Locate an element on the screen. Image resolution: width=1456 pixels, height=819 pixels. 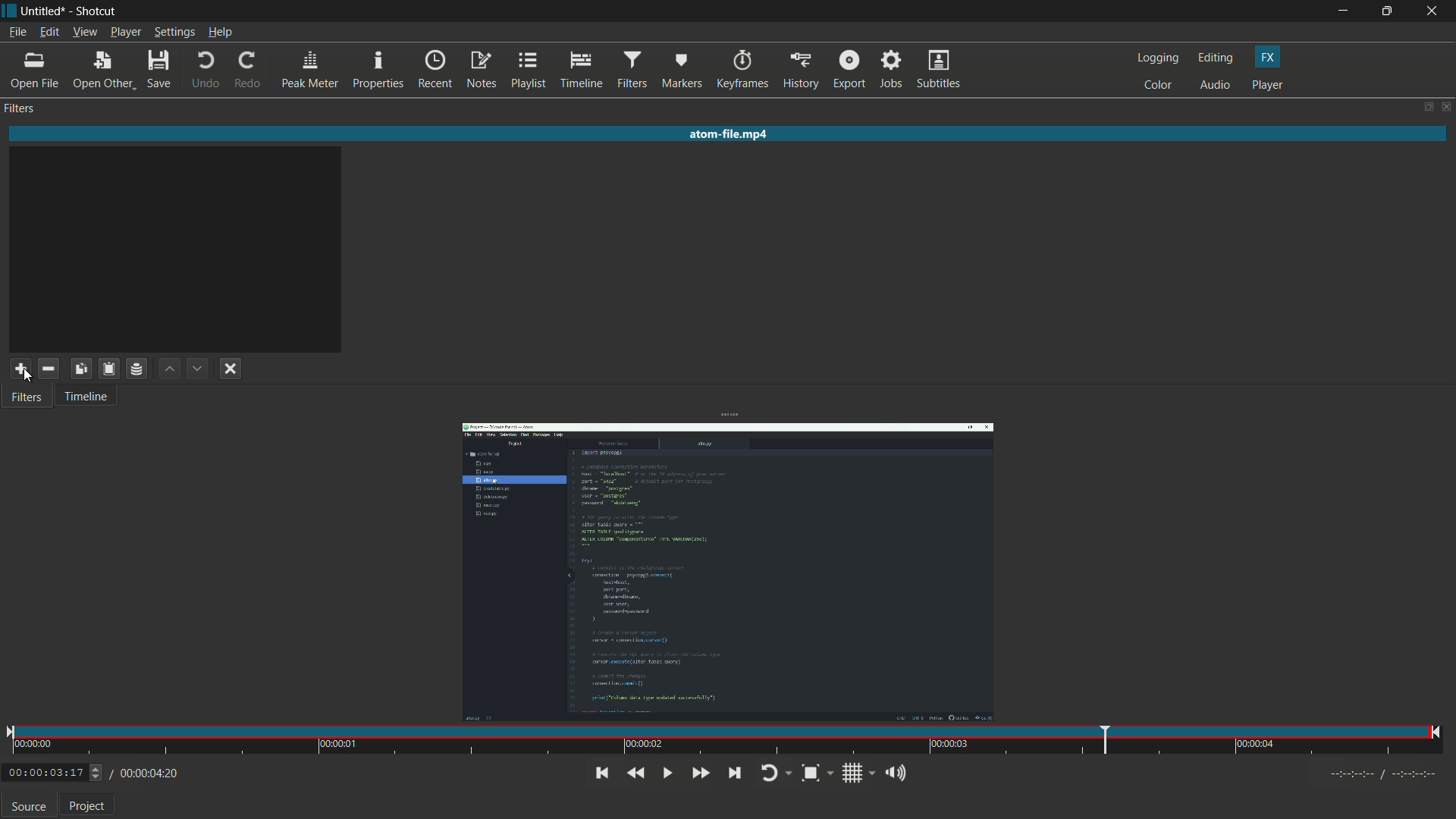
project is located at coordinates (88, 805).